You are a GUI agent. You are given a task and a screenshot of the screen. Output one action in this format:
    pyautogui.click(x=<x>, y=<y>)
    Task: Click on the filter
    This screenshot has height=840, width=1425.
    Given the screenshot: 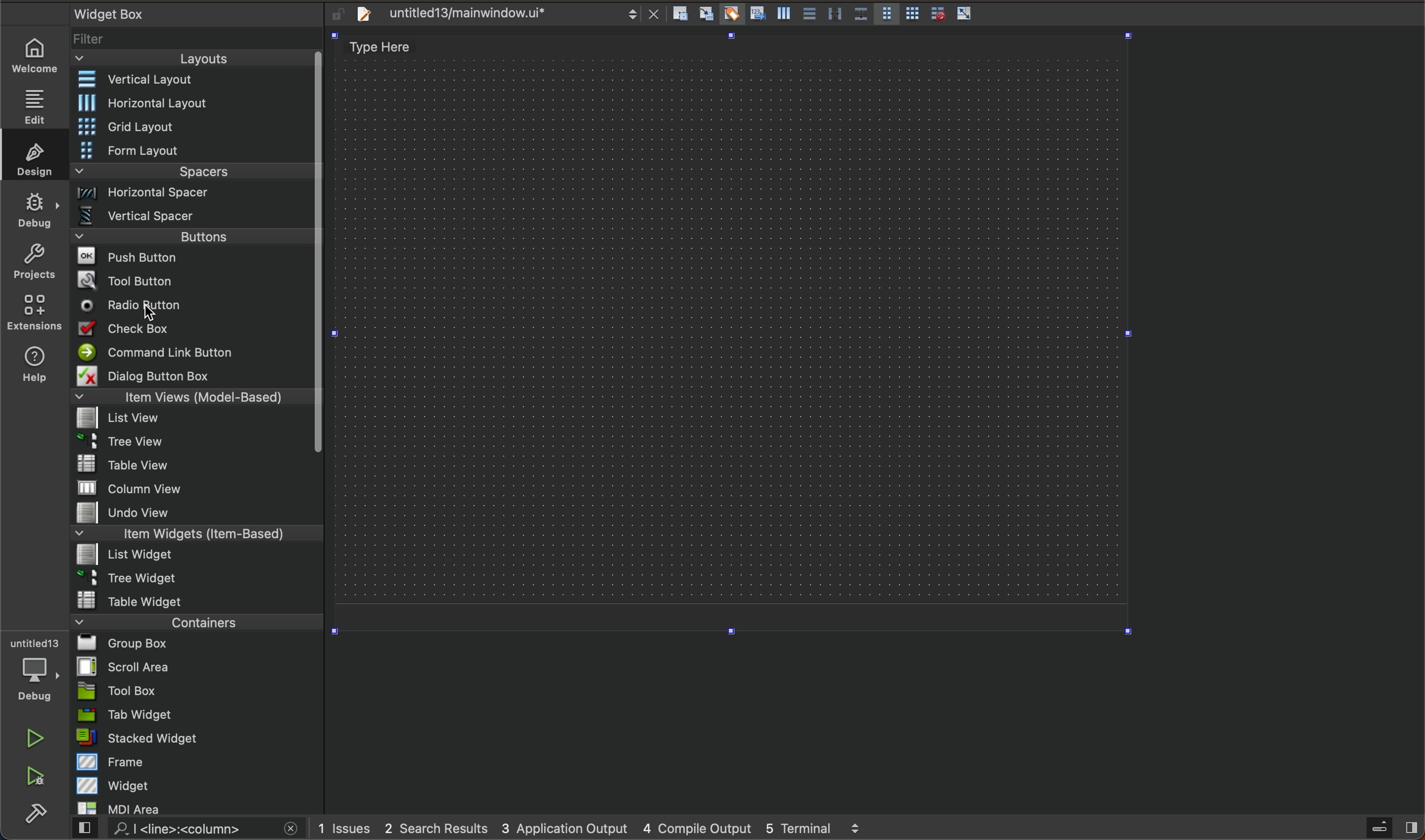 What is the action you would take?
    pyautogui.click(x=198, y=42)
    